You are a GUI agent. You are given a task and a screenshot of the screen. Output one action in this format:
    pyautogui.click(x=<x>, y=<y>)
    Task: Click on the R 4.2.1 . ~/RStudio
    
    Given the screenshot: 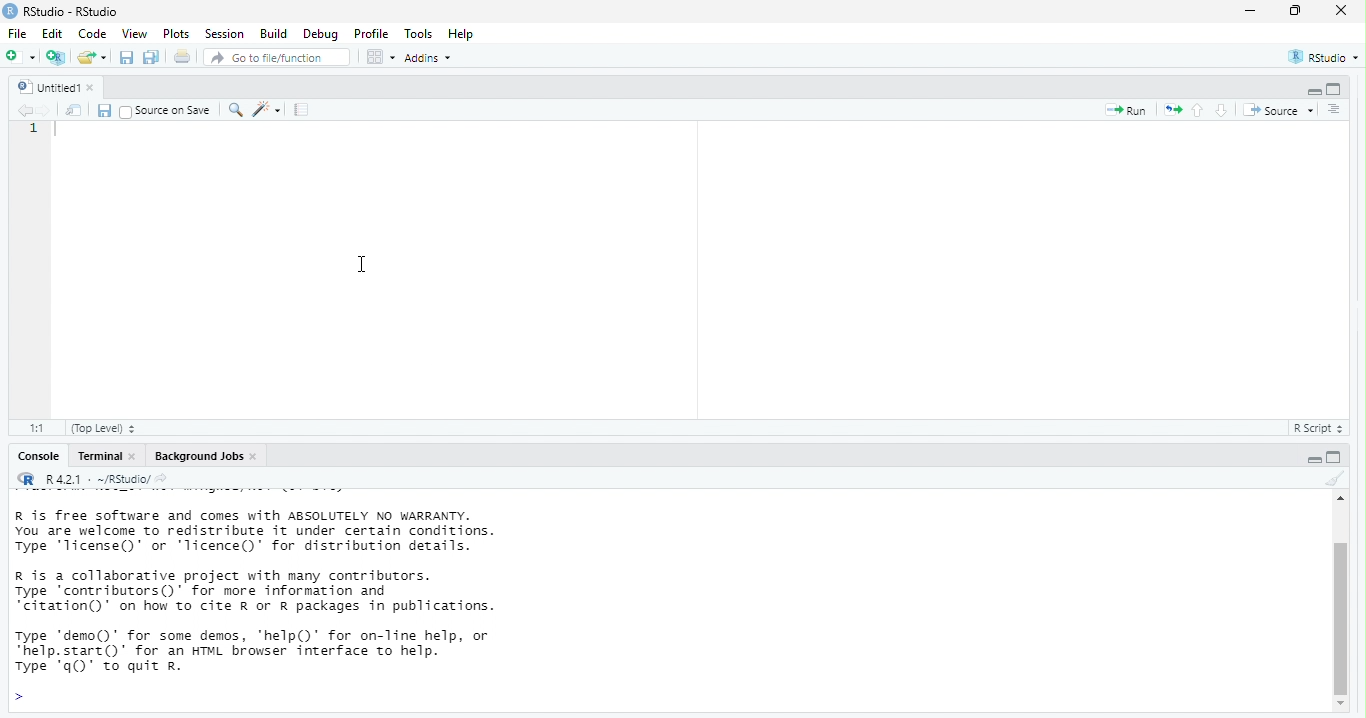 What is the action you would take?
    pyautogui.click(x=98, y=480)
    